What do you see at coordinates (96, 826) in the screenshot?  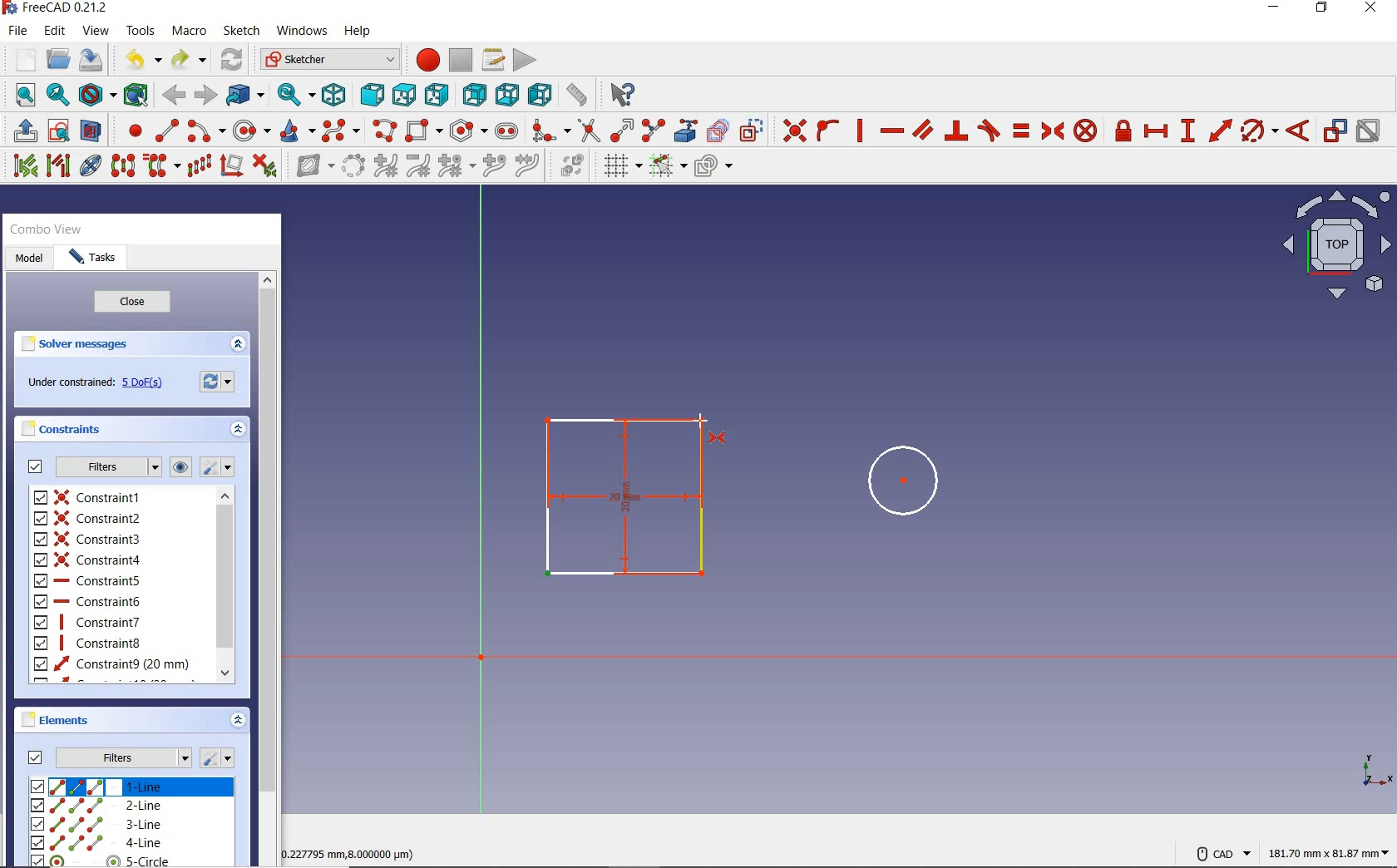 I see `3-LINE` at bounding box center [96, 826].